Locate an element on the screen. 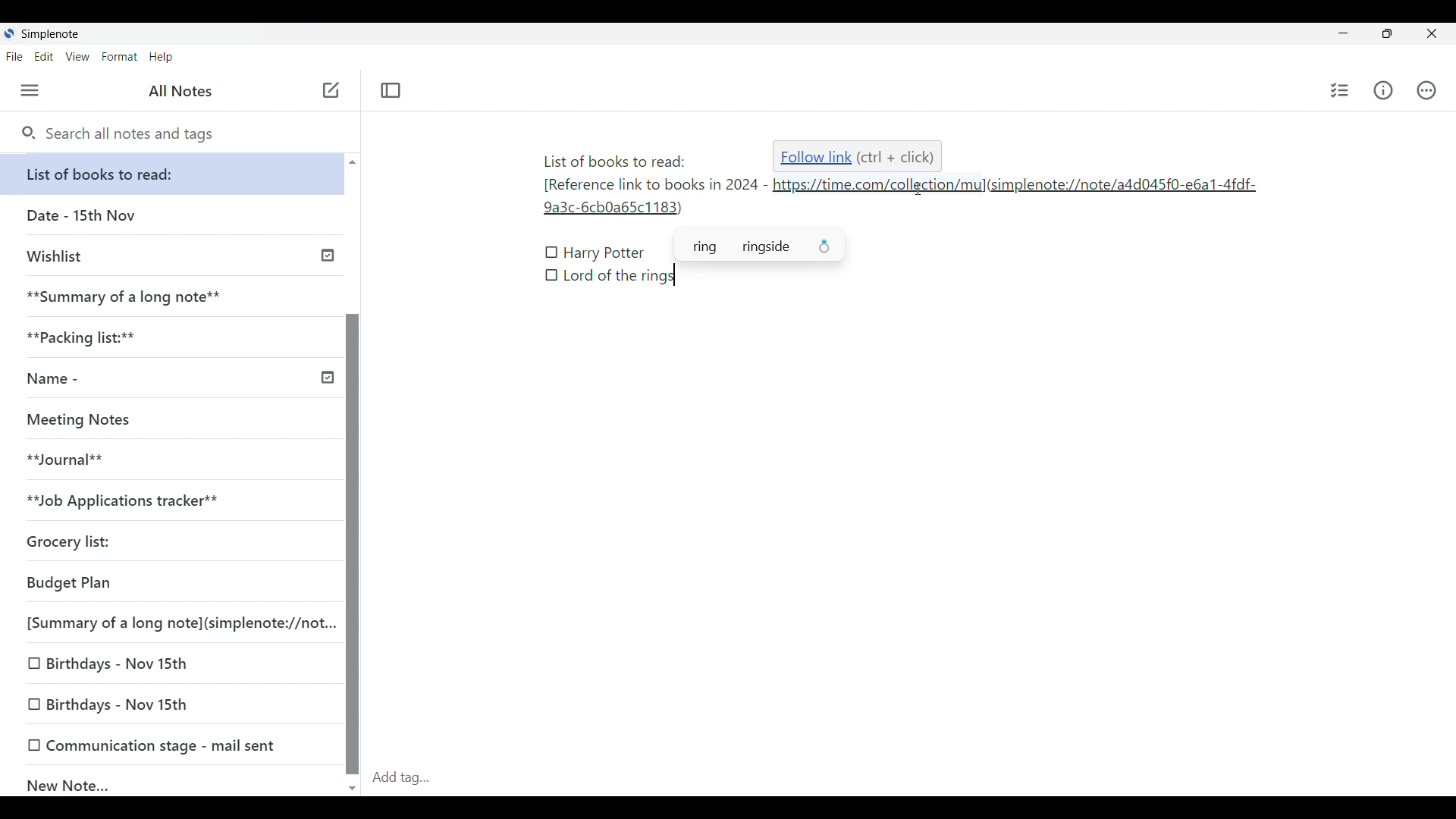  Date - 15th Nov is located at coordinates (173, 215).